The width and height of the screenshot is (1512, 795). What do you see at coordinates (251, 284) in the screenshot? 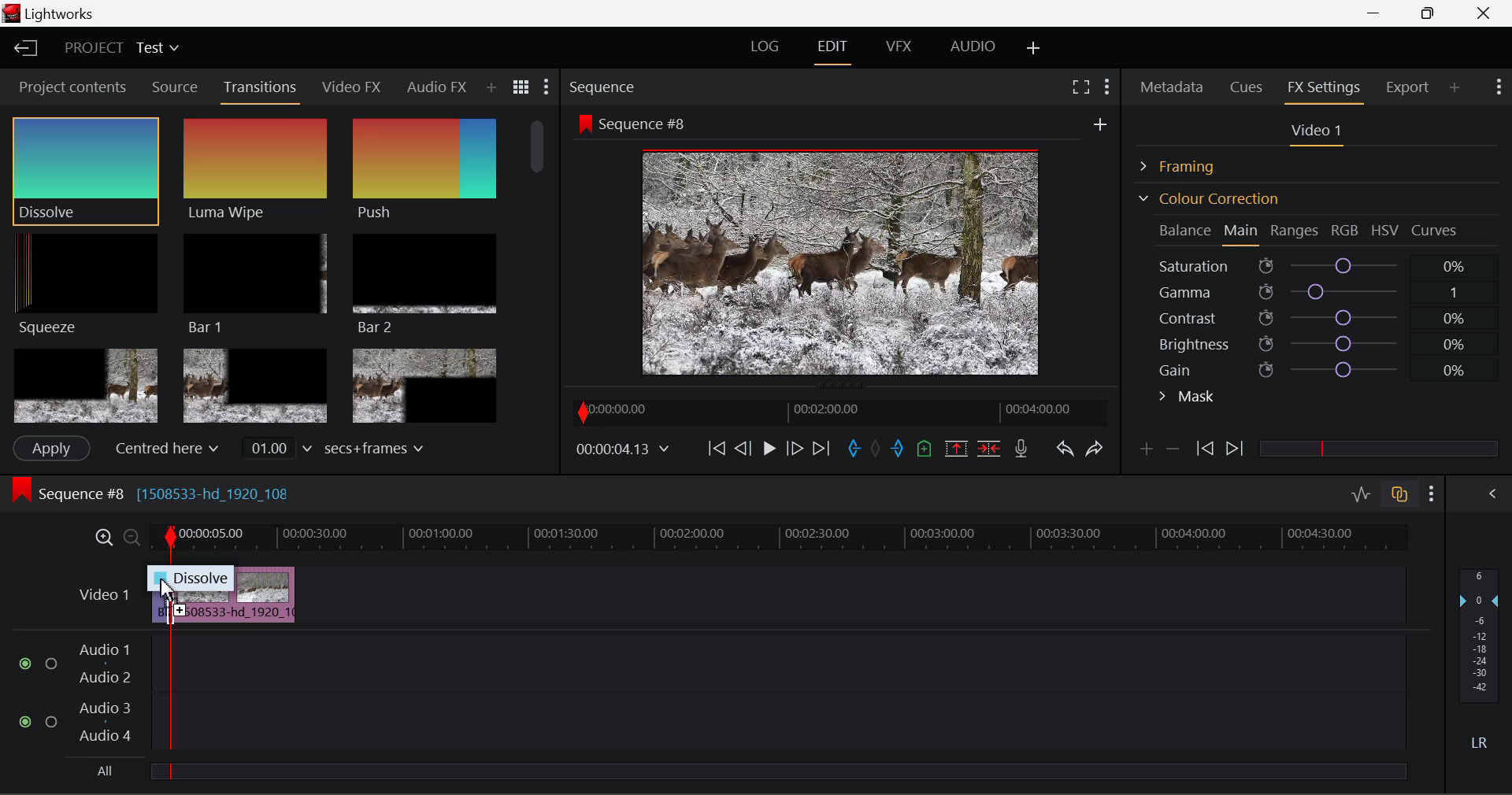
I see `Bar 1` at bounding box center [251, 284].